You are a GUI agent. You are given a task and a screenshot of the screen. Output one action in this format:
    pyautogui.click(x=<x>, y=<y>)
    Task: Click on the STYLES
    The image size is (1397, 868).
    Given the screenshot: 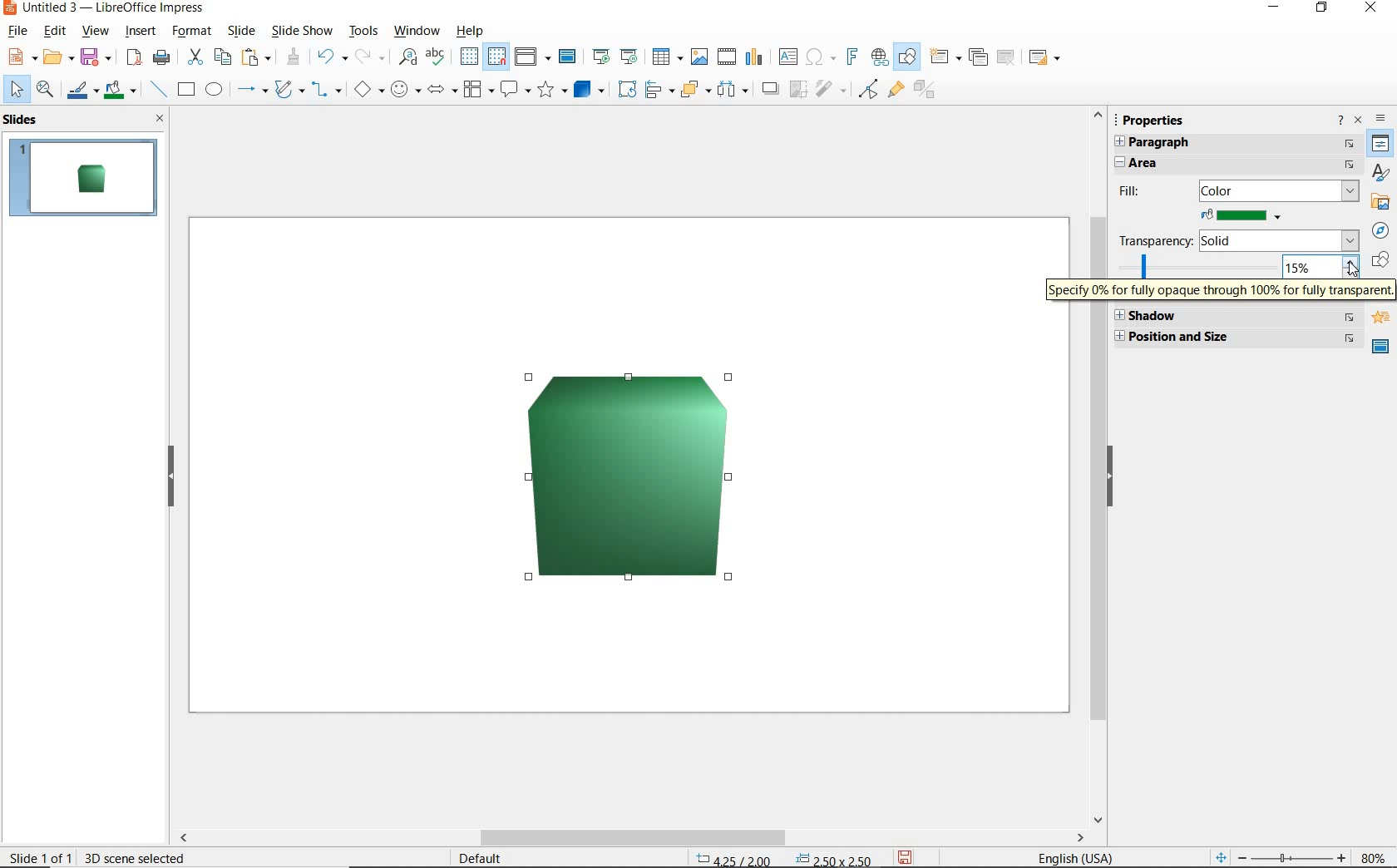 What is the action you would take?
    pyautogui.click(x=1380, y=175)
    